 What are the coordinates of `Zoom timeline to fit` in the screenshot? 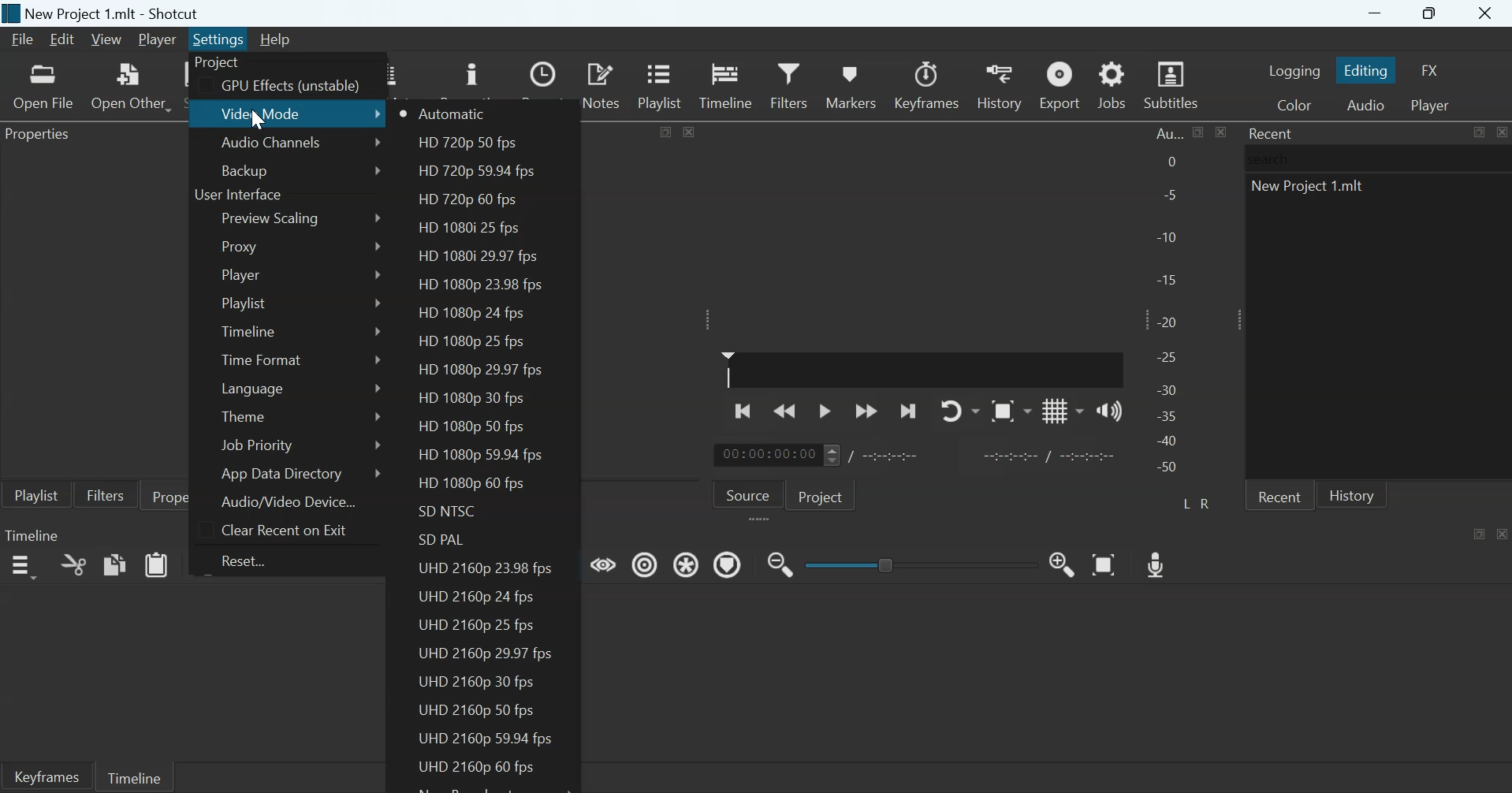 It's located at (1106, 564).